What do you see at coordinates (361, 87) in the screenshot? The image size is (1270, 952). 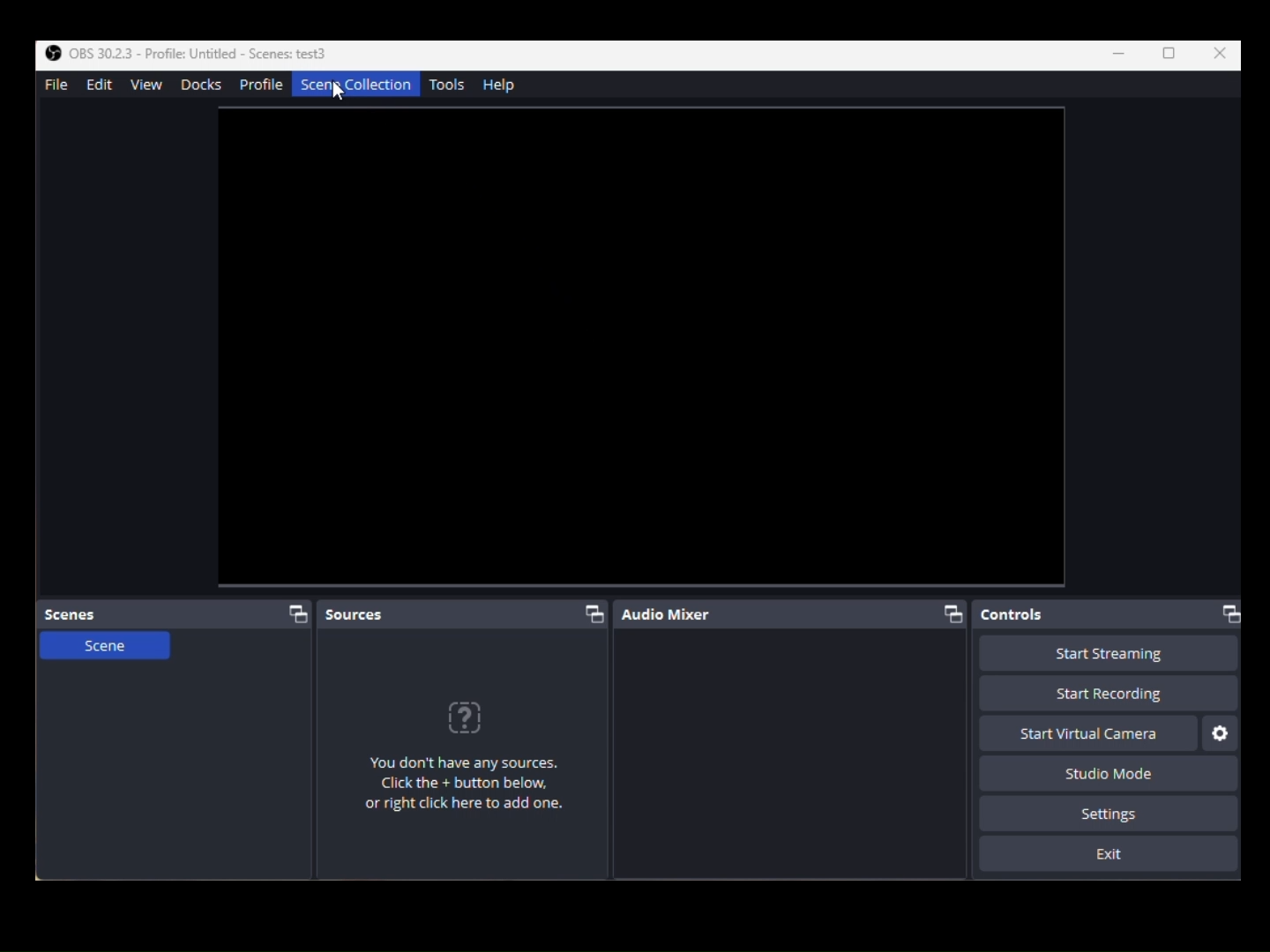 I see `SceneCollection` at bounding box center [361, 87].